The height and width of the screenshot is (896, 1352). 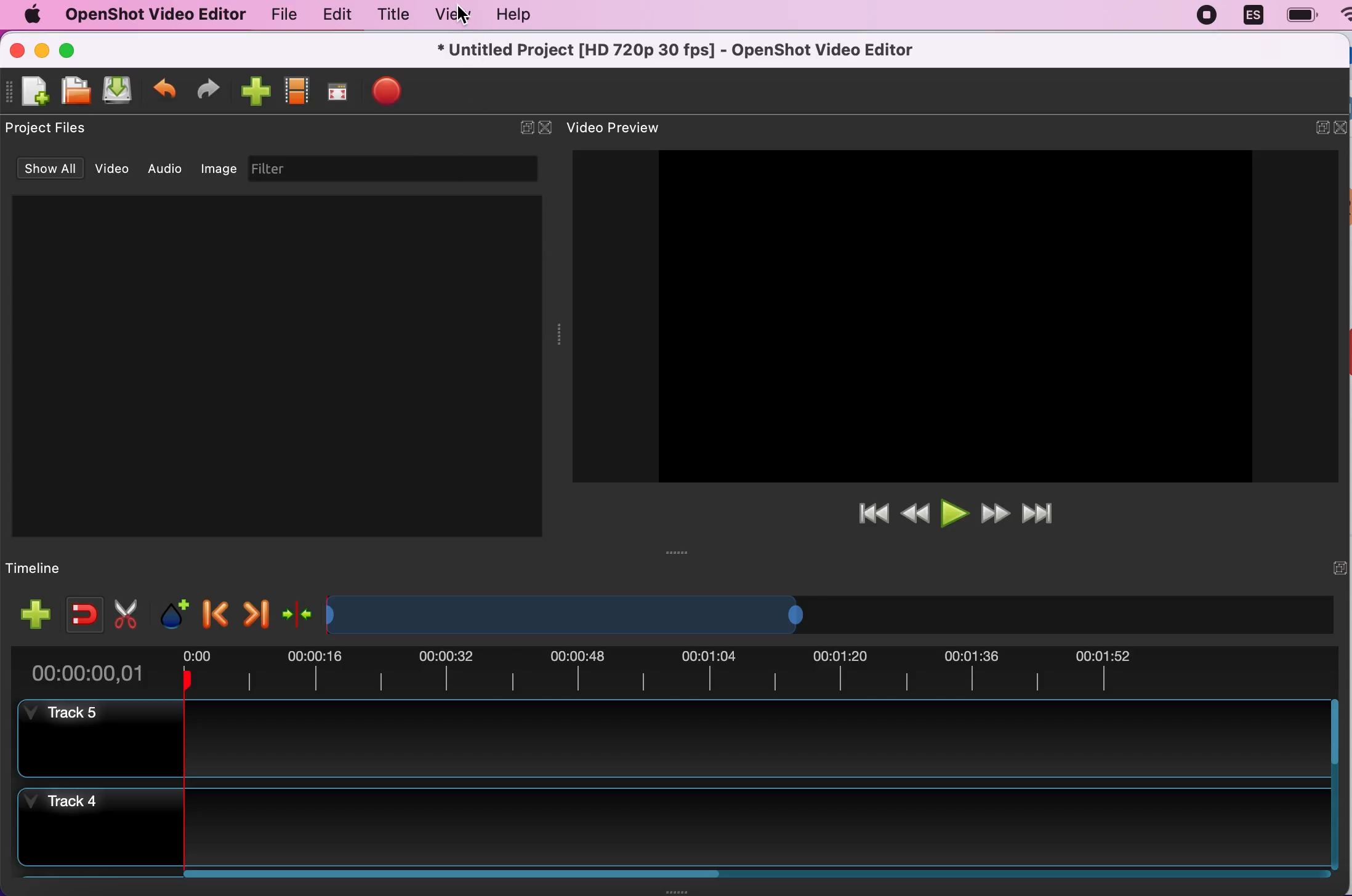 What do you see at coordinates (387, 92) in the screenshot?
I see `export file` at bounding box center [387, 92].